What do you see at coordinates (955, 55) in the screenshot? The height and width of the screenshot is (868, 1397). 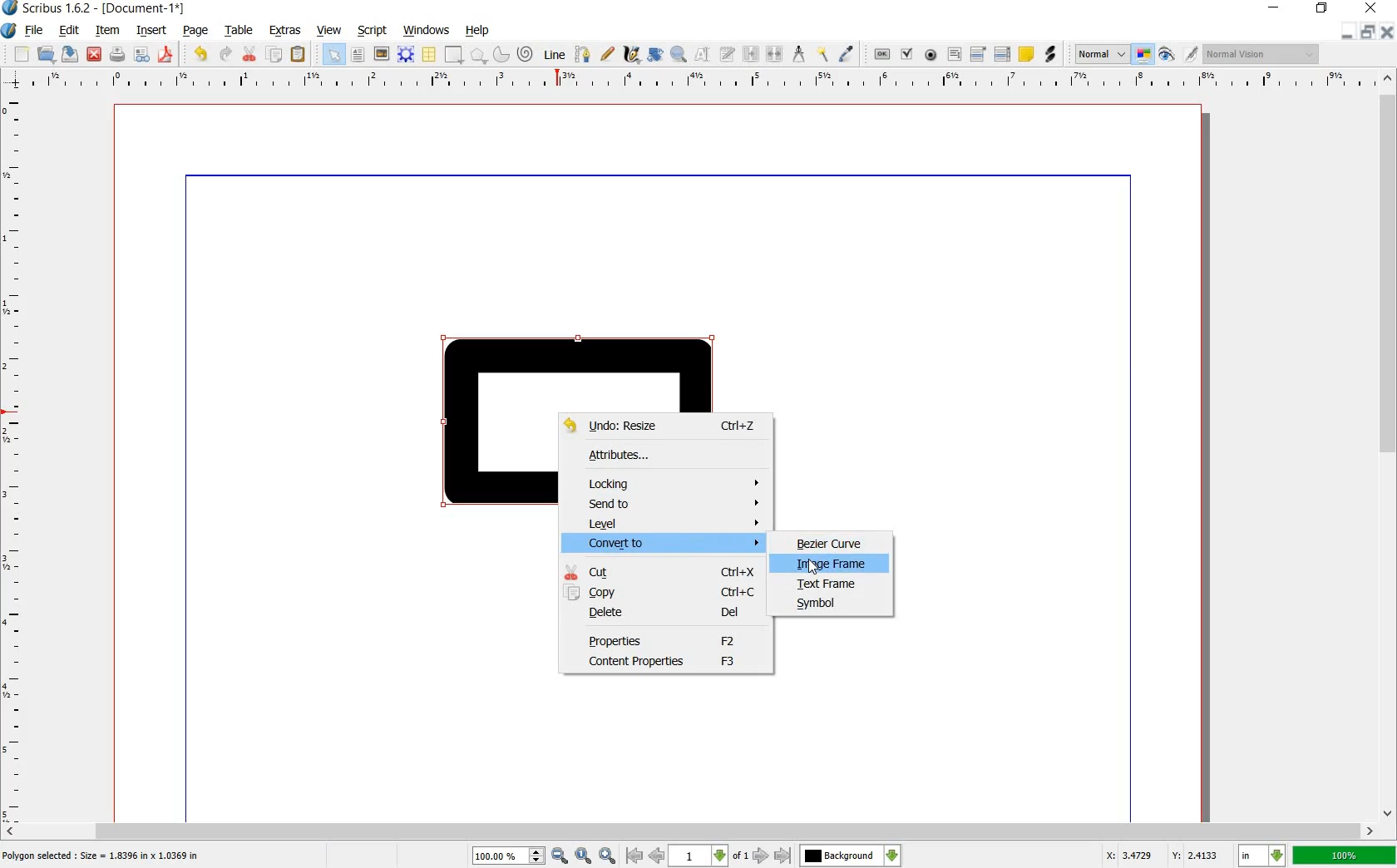 I see `pdf text field` at bounding box center [955, 55].